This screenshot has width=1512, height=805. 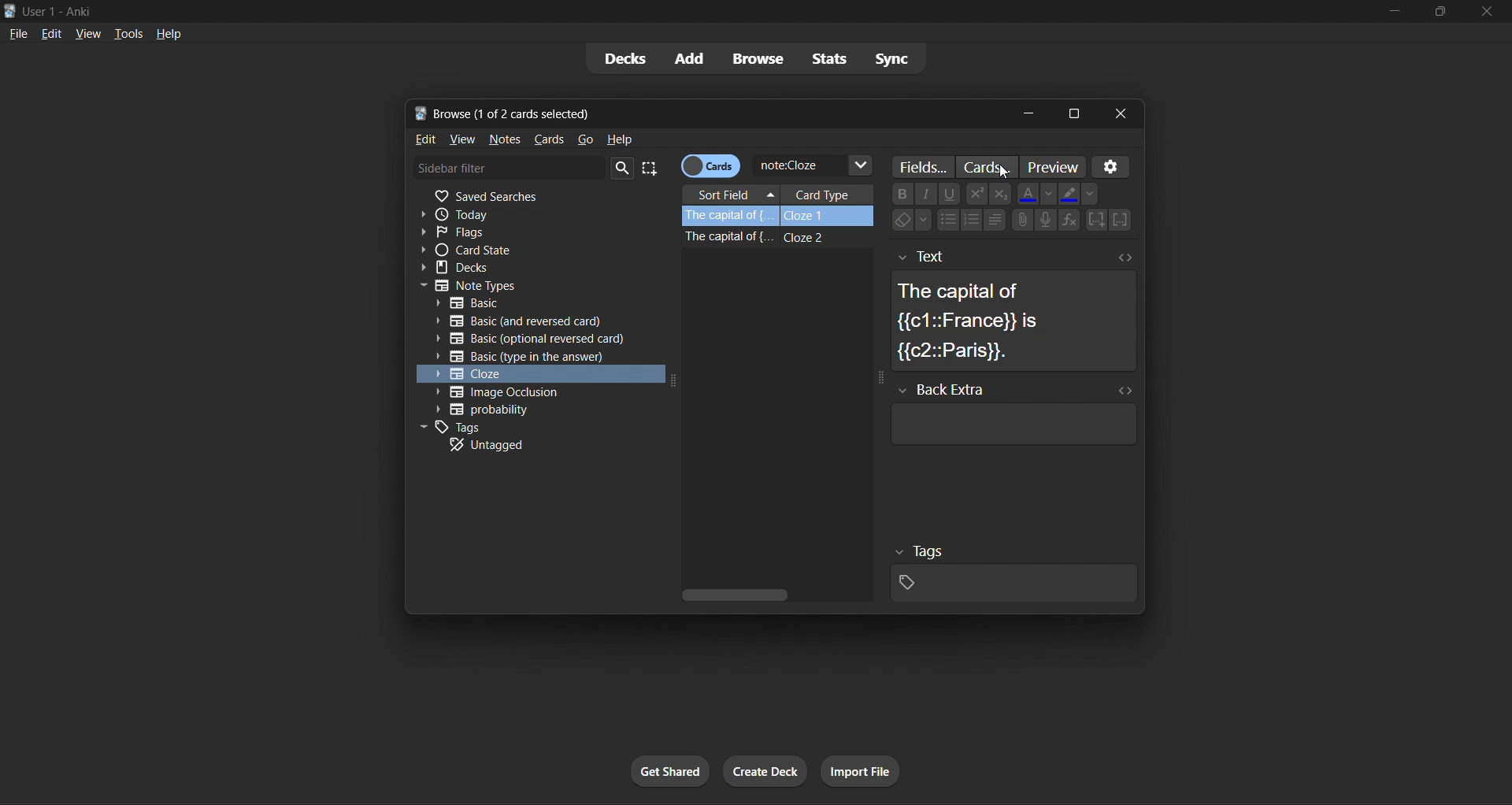 I want to click on selected cards tags, so click(x=1010, y=570).